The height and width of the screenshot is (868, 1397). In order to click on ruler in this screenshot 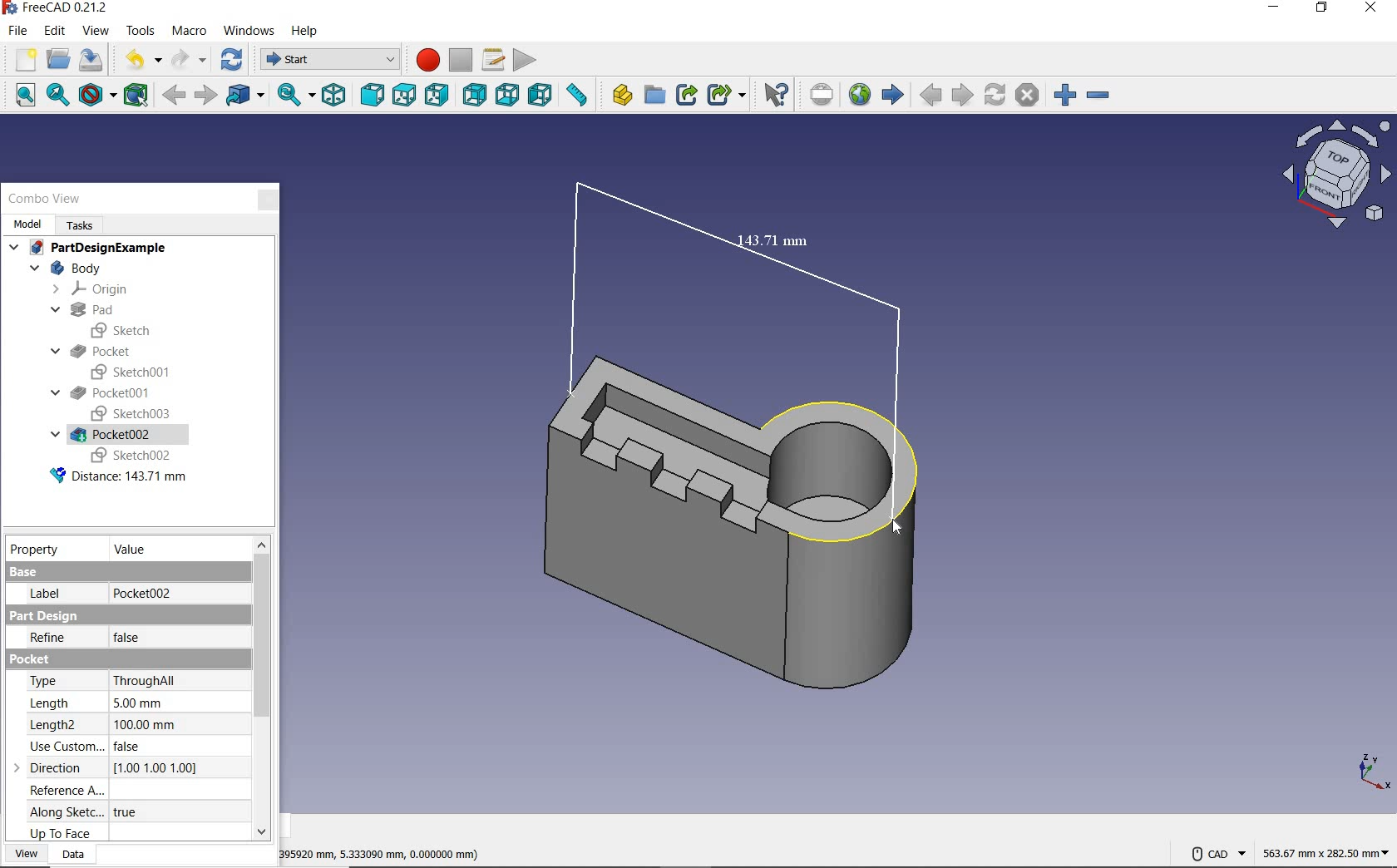, I will do `click(576, 97)`.